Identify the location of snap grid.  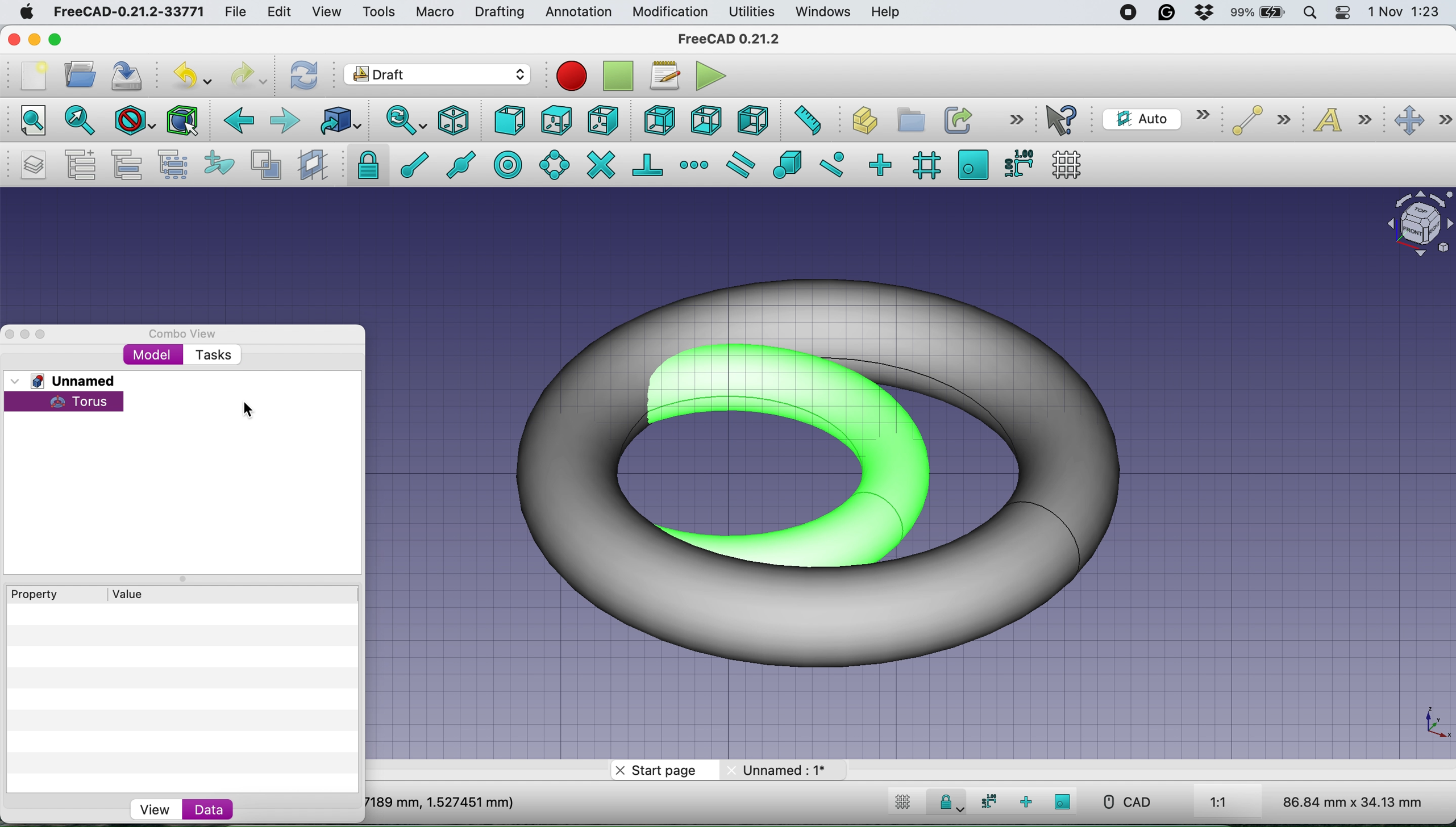
(924, 166).